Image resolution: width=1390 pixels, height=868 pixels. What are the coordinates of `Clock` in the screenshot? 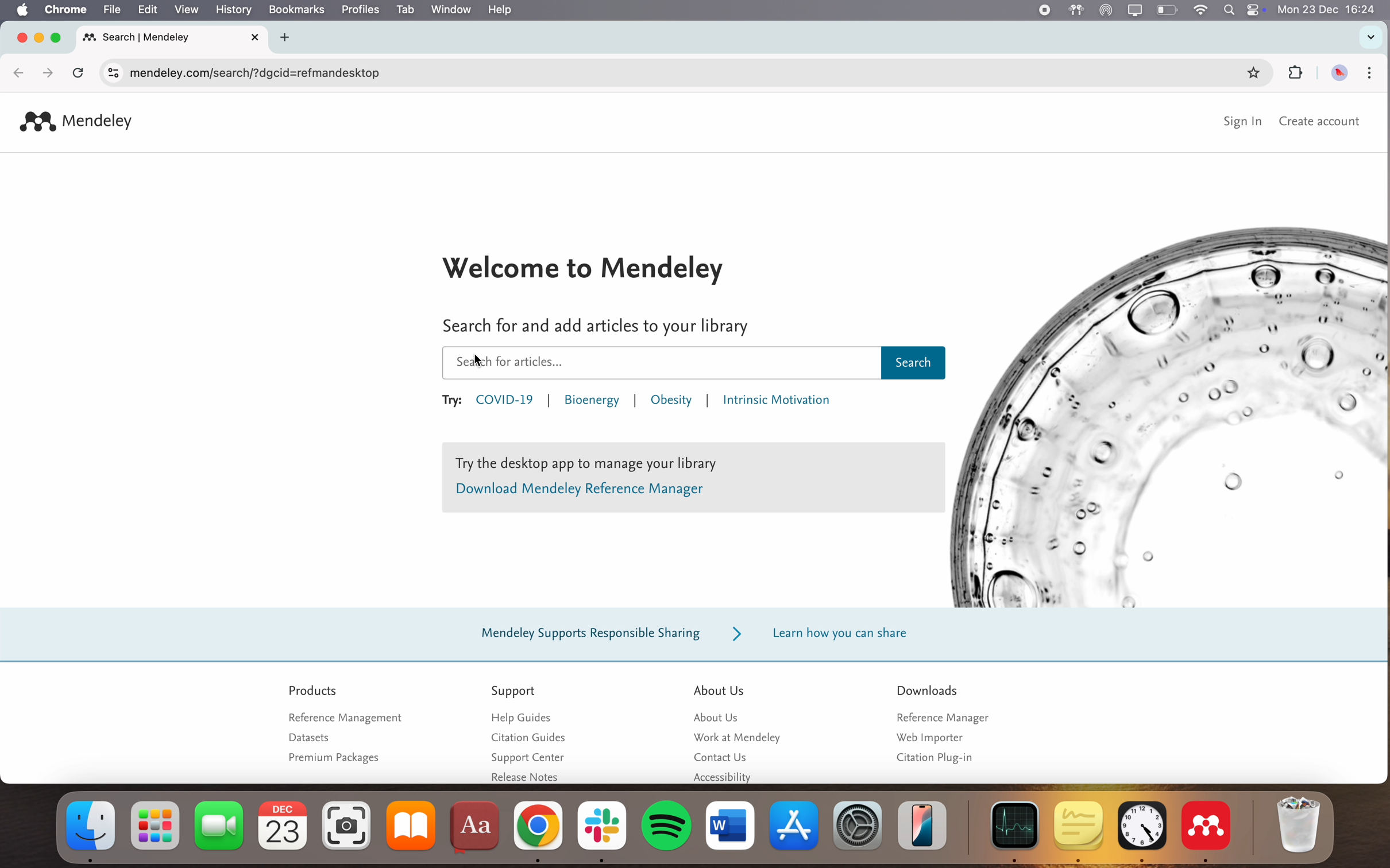 It's located at (1142, 830).